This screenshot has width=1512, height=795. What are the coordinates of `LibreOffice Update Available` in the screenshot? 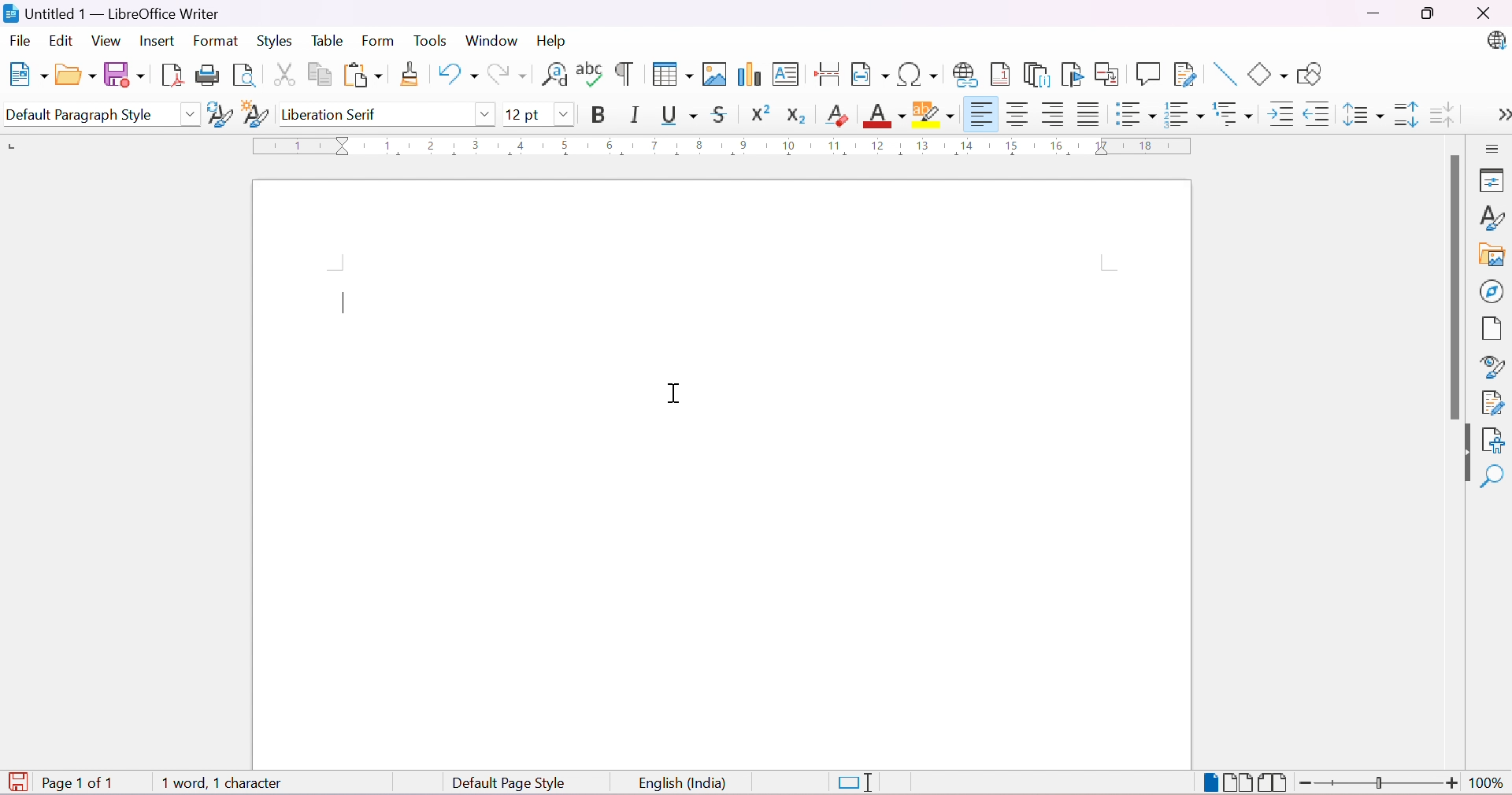 It's located at (1499, 42).